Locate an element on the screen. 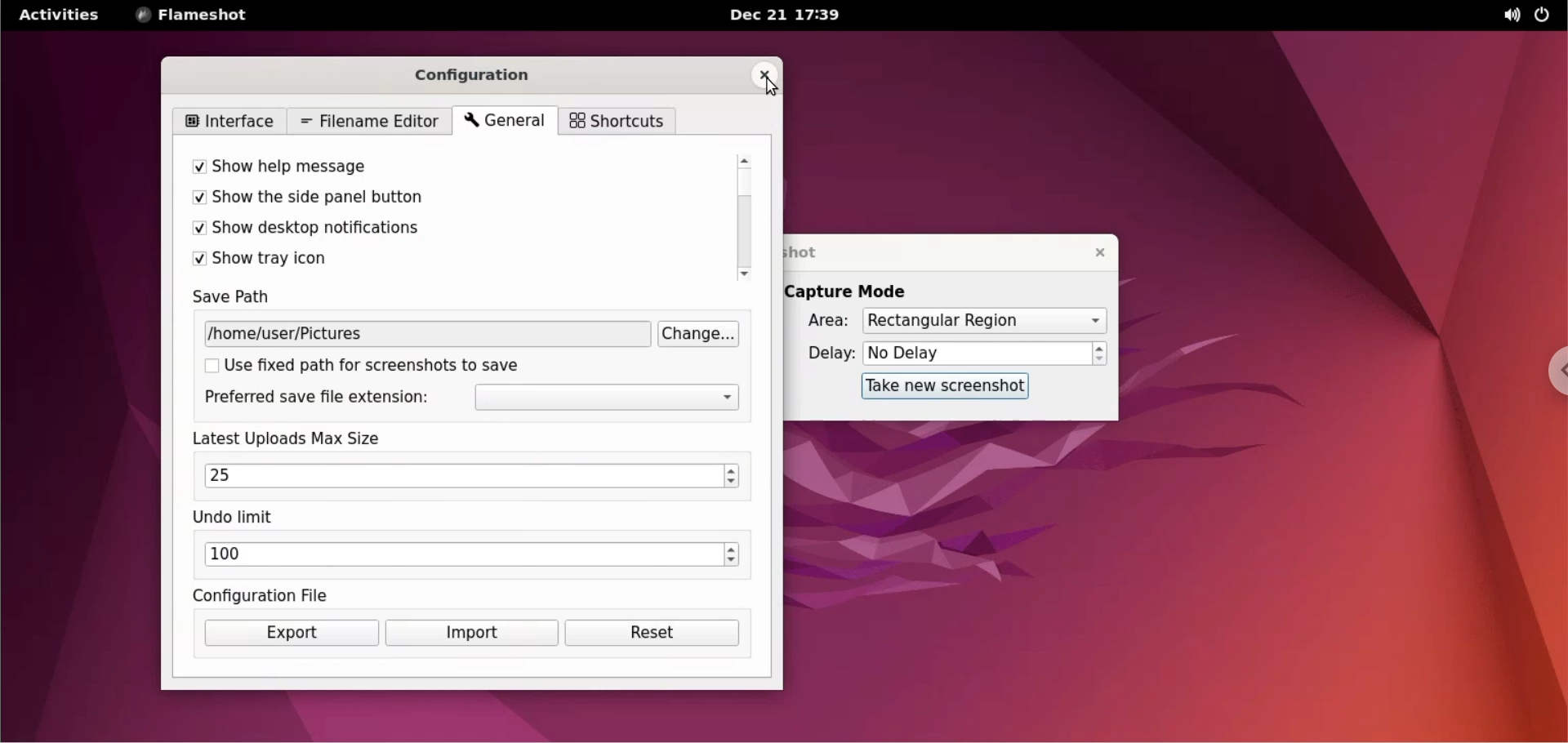  show tray icons checkbox is located at coordinates (432, 260).